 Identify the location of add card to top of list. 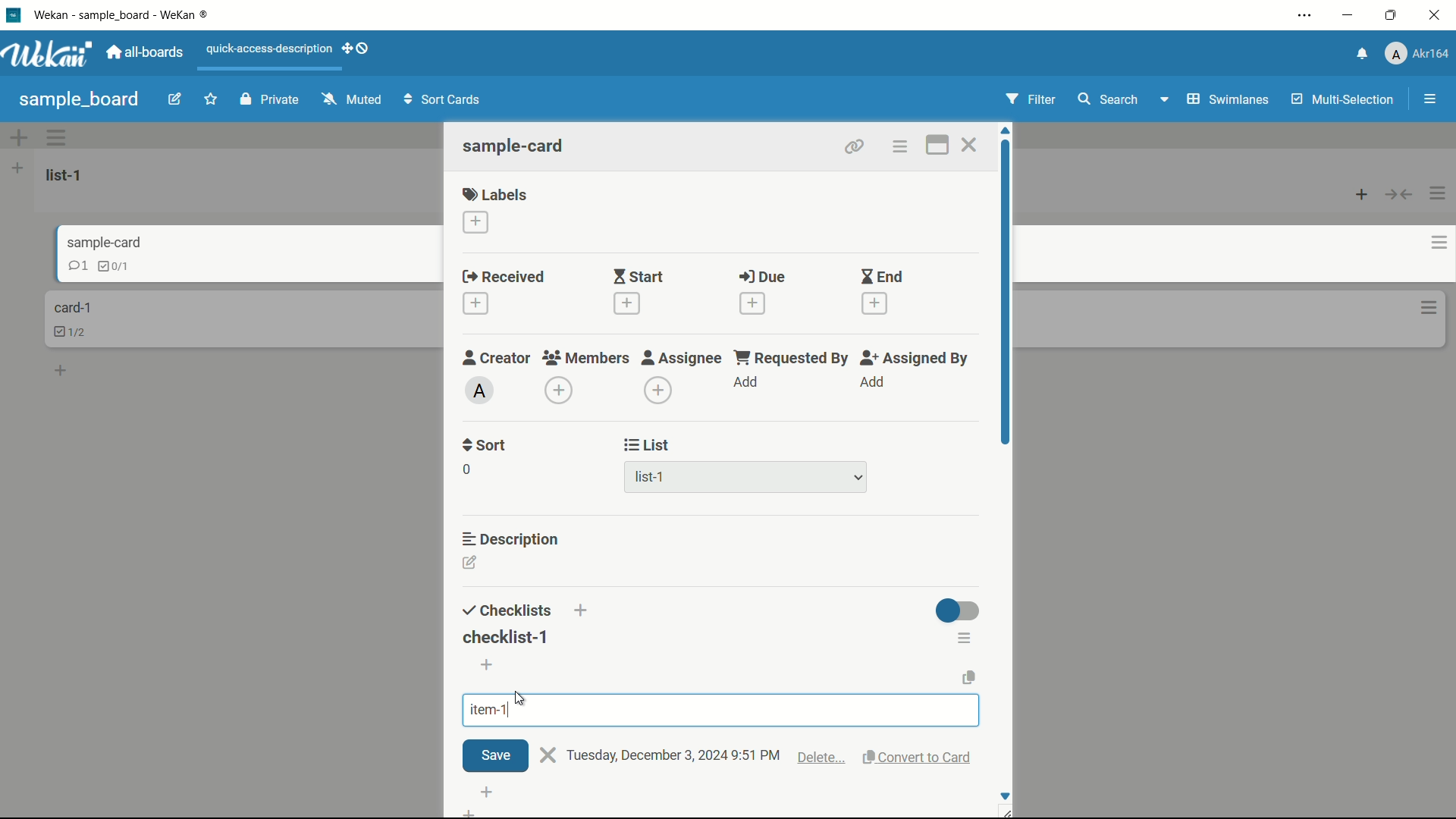
(1362, 196).